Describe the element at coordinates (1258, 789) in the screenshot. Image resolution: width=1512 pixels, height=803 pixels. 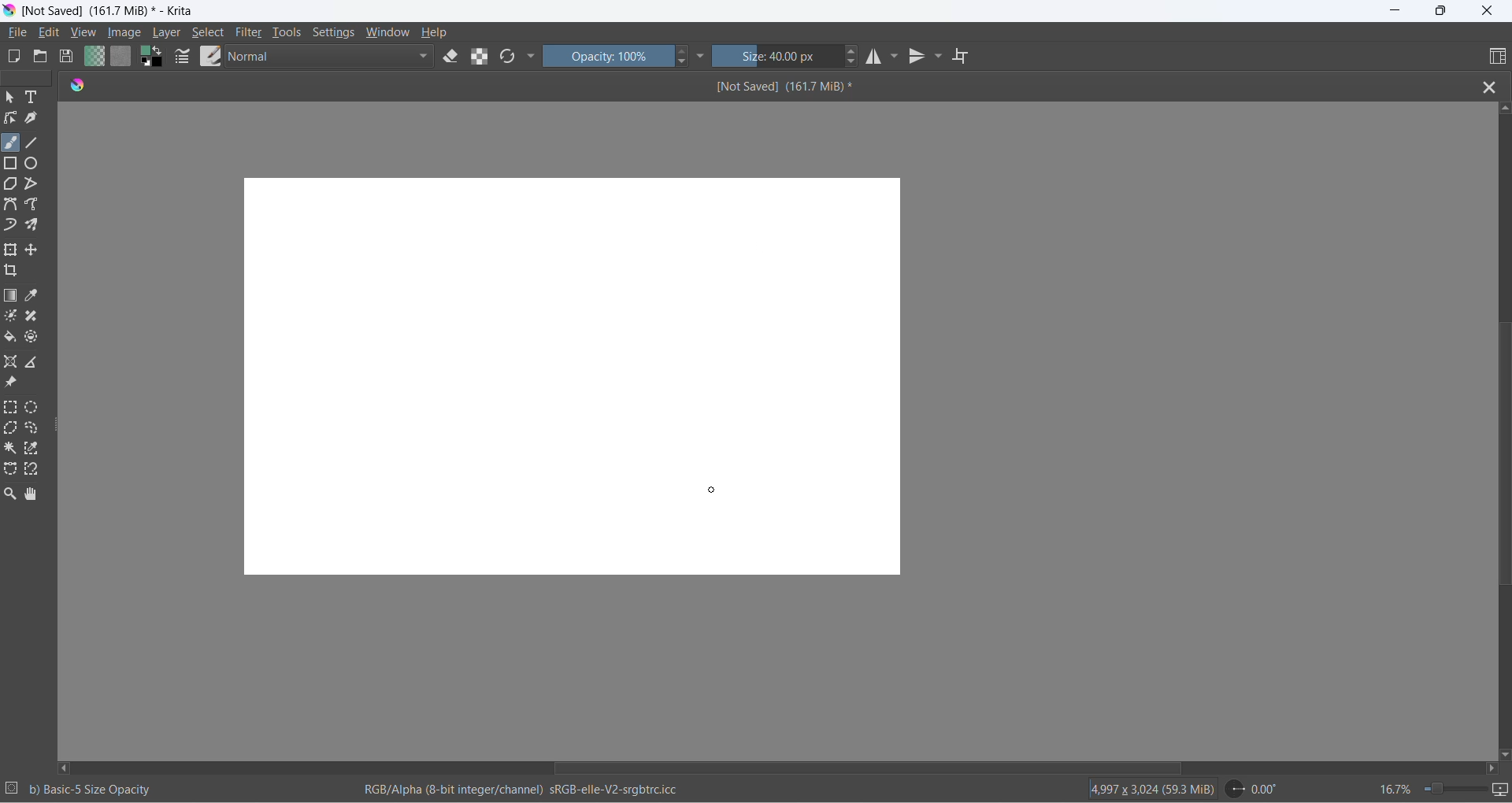
I see `rotation` at that location.